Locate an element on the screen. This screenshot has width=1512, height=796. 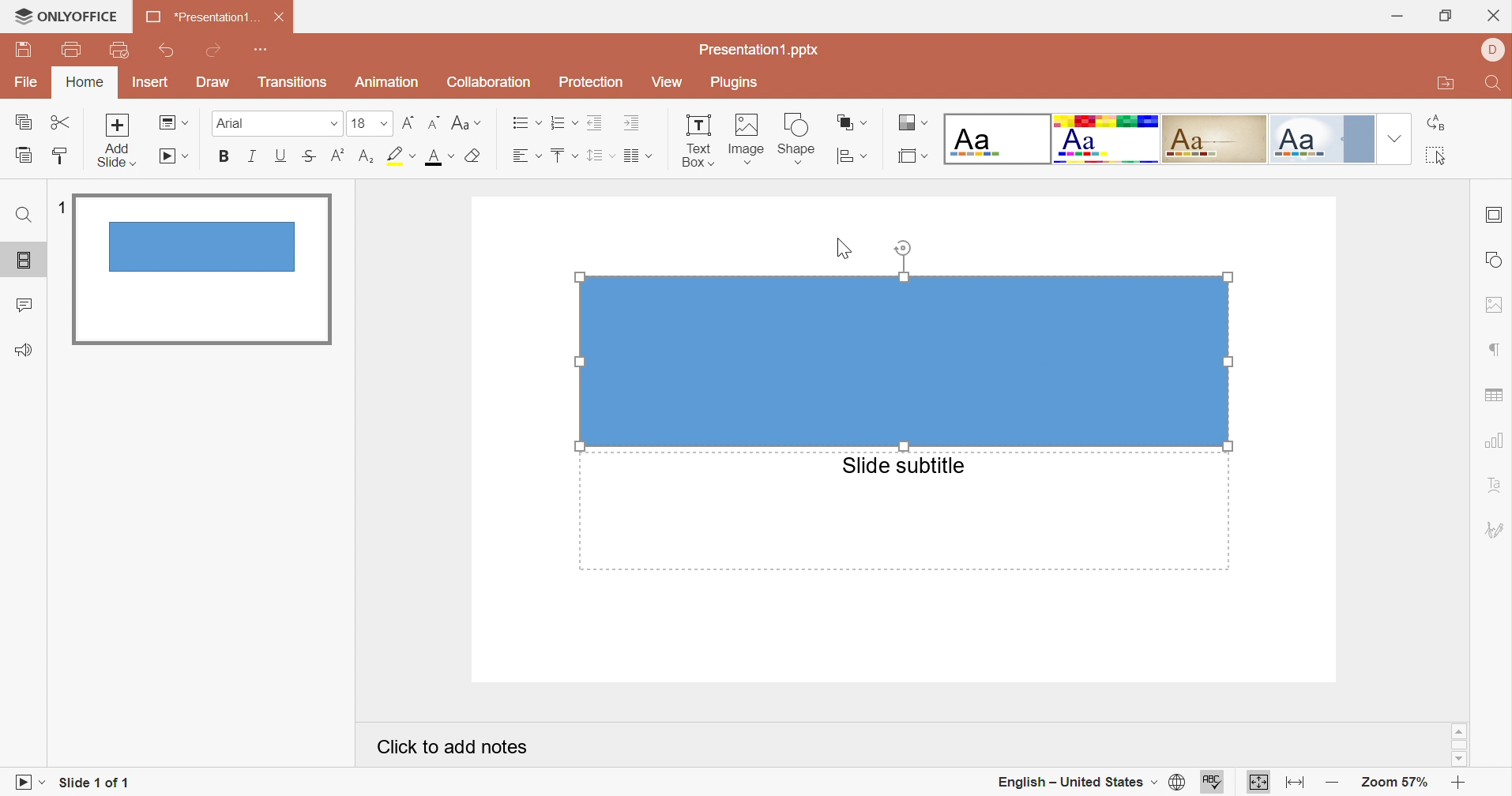
Paste is located at coordinates (24, 155).